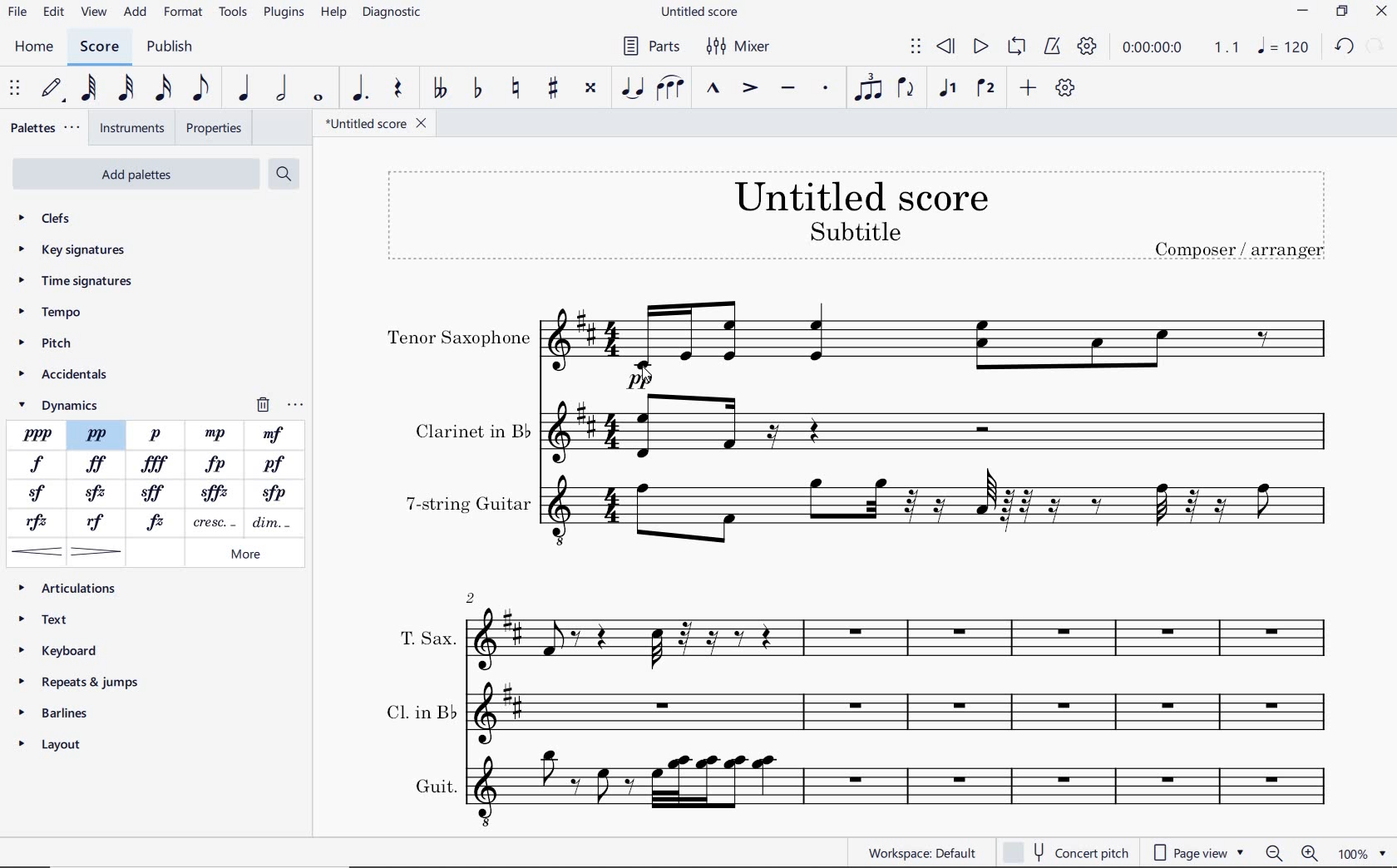 The image size is (1397, 868). What do you see at coordinates (55, 747) in the screenshot?
I see `LAYOUT` at bounding box center [55, 747].